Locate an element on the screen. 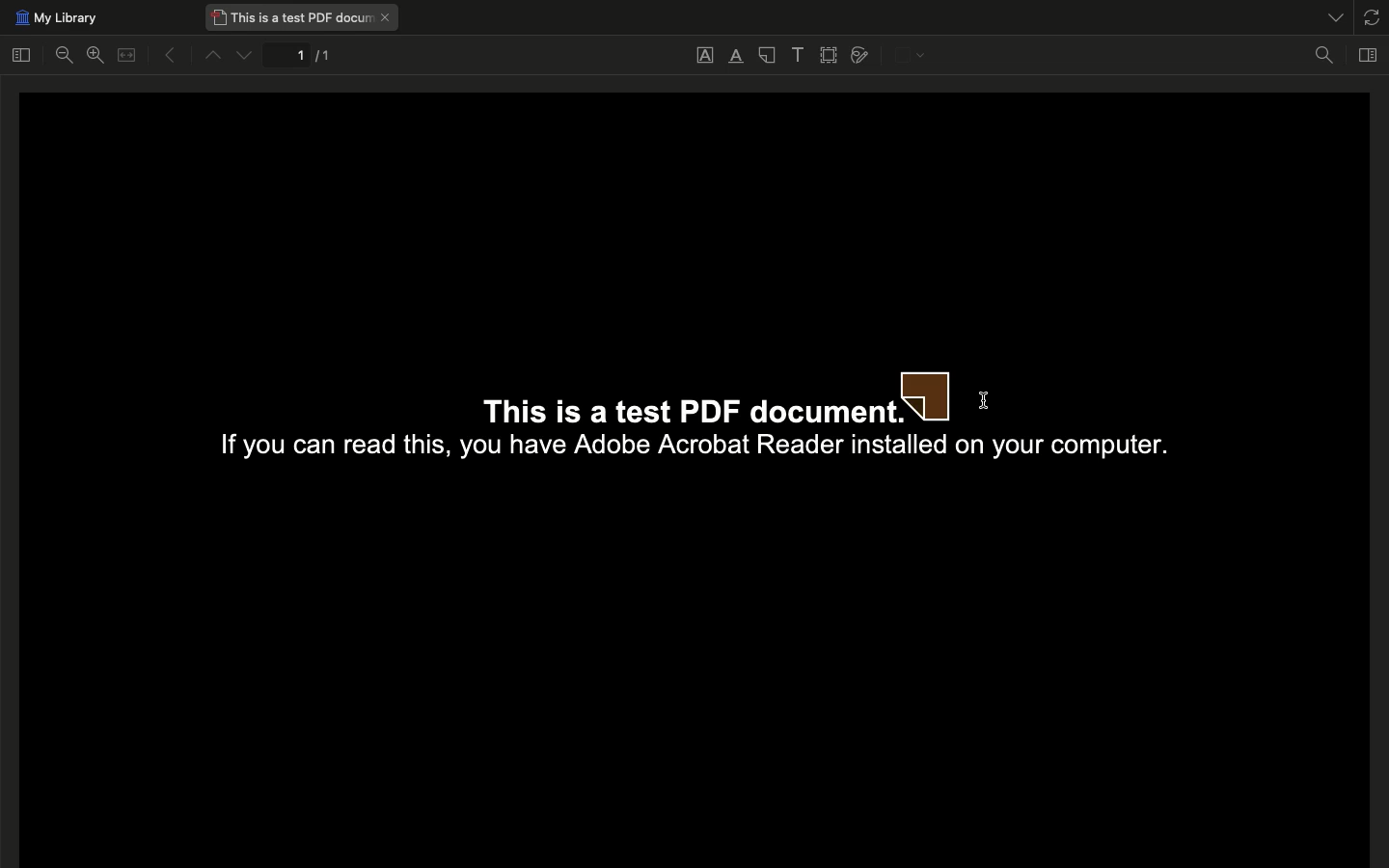  Underline text is located at coordinates (705, 54).